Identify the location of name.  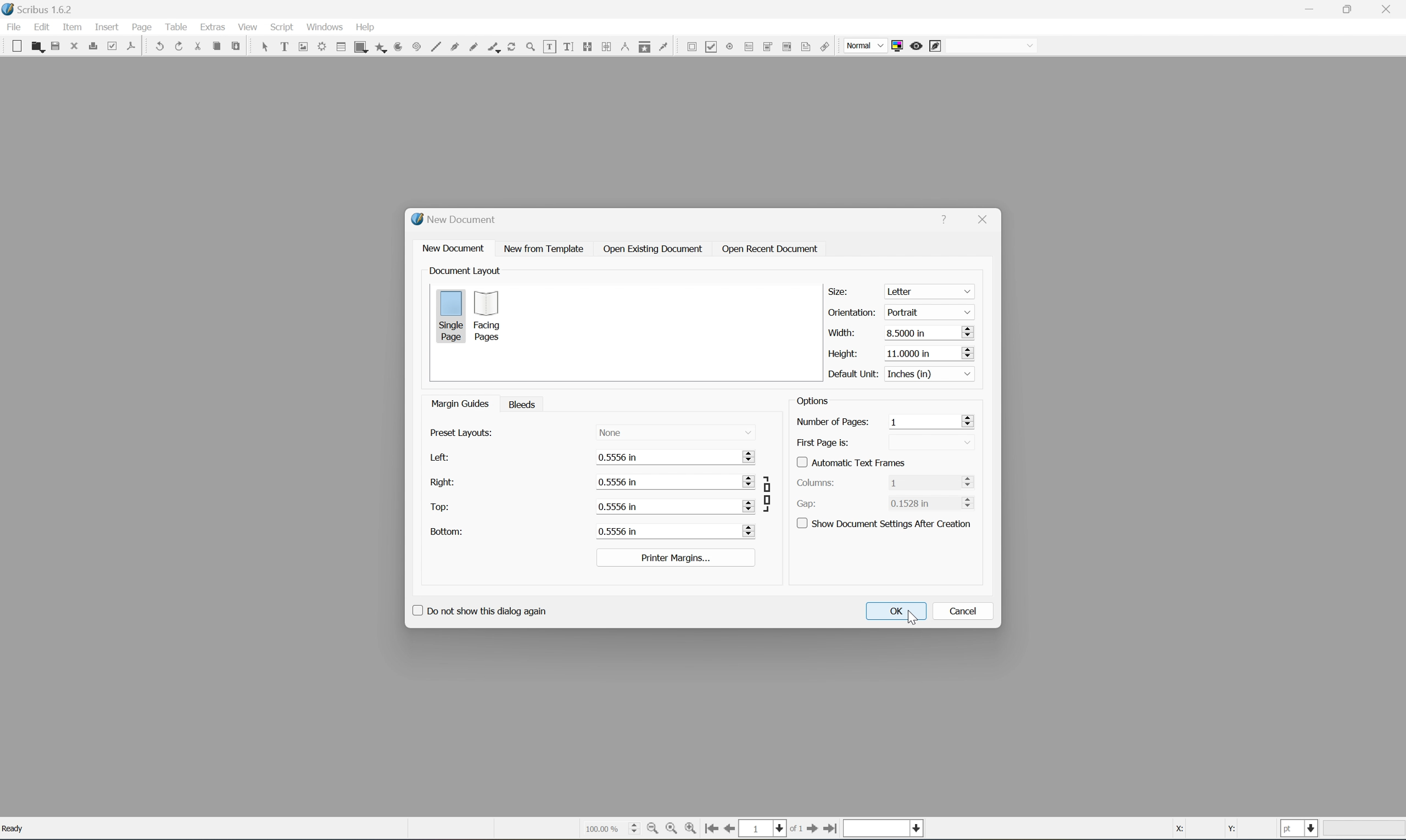
(670, 433).